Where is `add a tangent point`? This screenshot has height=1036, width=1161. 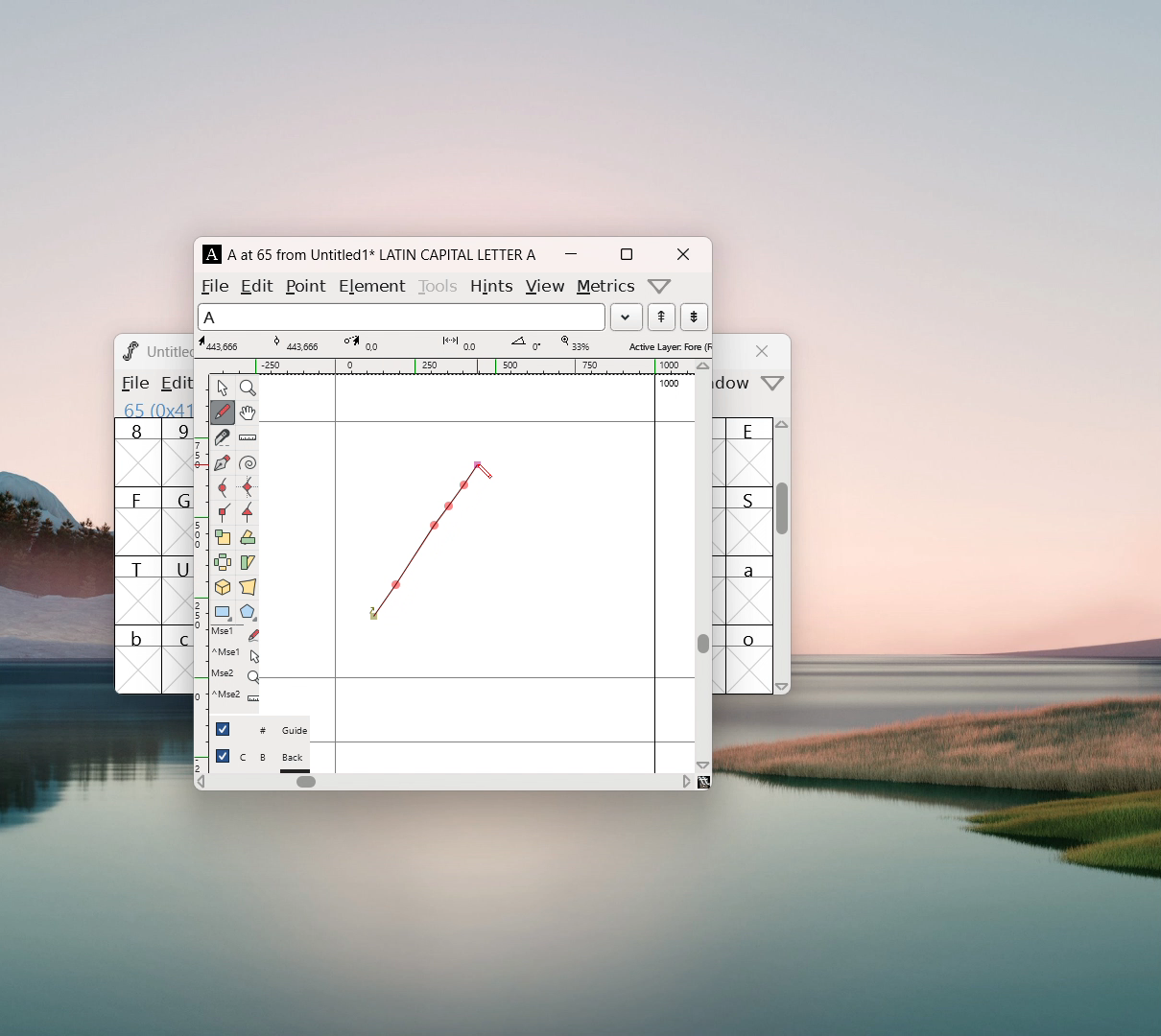
add a tangent point is located at coordinates (247, 512).